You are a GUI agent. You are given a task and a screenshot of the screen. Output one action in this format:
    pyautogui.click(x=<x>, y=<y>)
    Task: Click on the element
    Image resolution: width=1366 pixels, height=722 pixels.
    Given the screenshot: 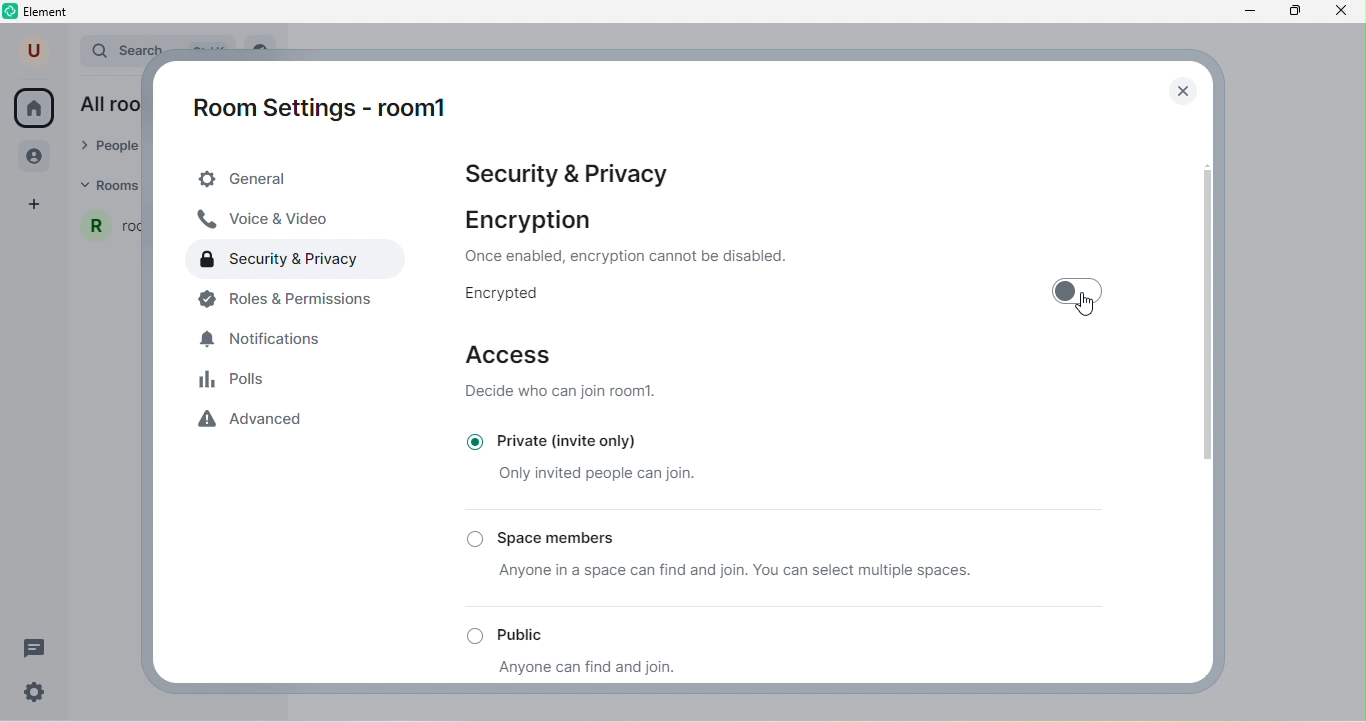 What is the action you would take?
    pyautogui.click(x=39, y=13)
    